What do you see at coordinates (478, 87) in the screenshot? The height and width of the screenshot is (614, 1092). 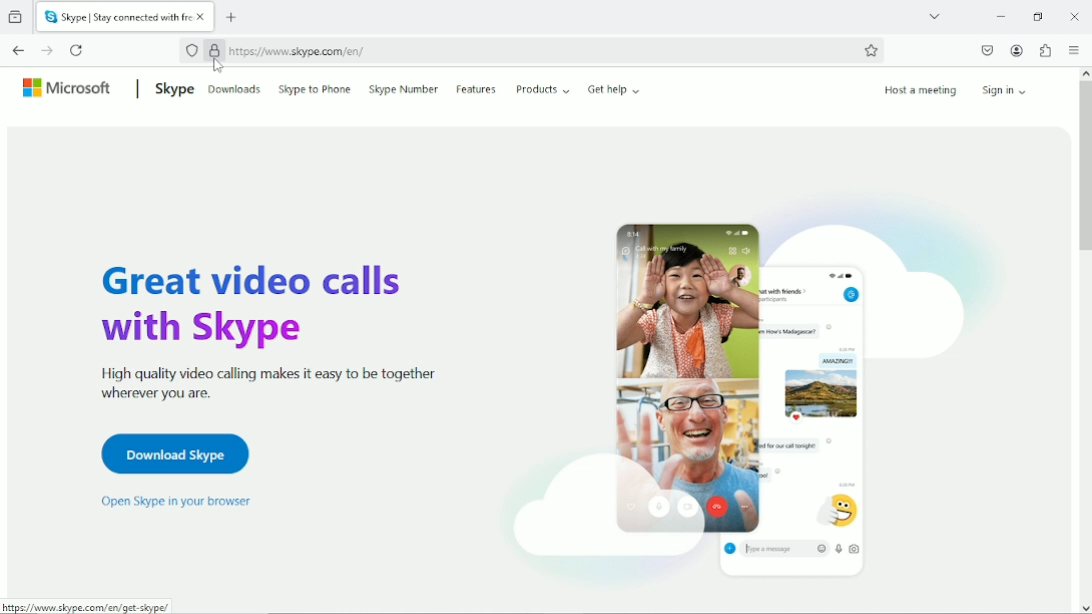 I see `Features` at bounding box center [478, 87].